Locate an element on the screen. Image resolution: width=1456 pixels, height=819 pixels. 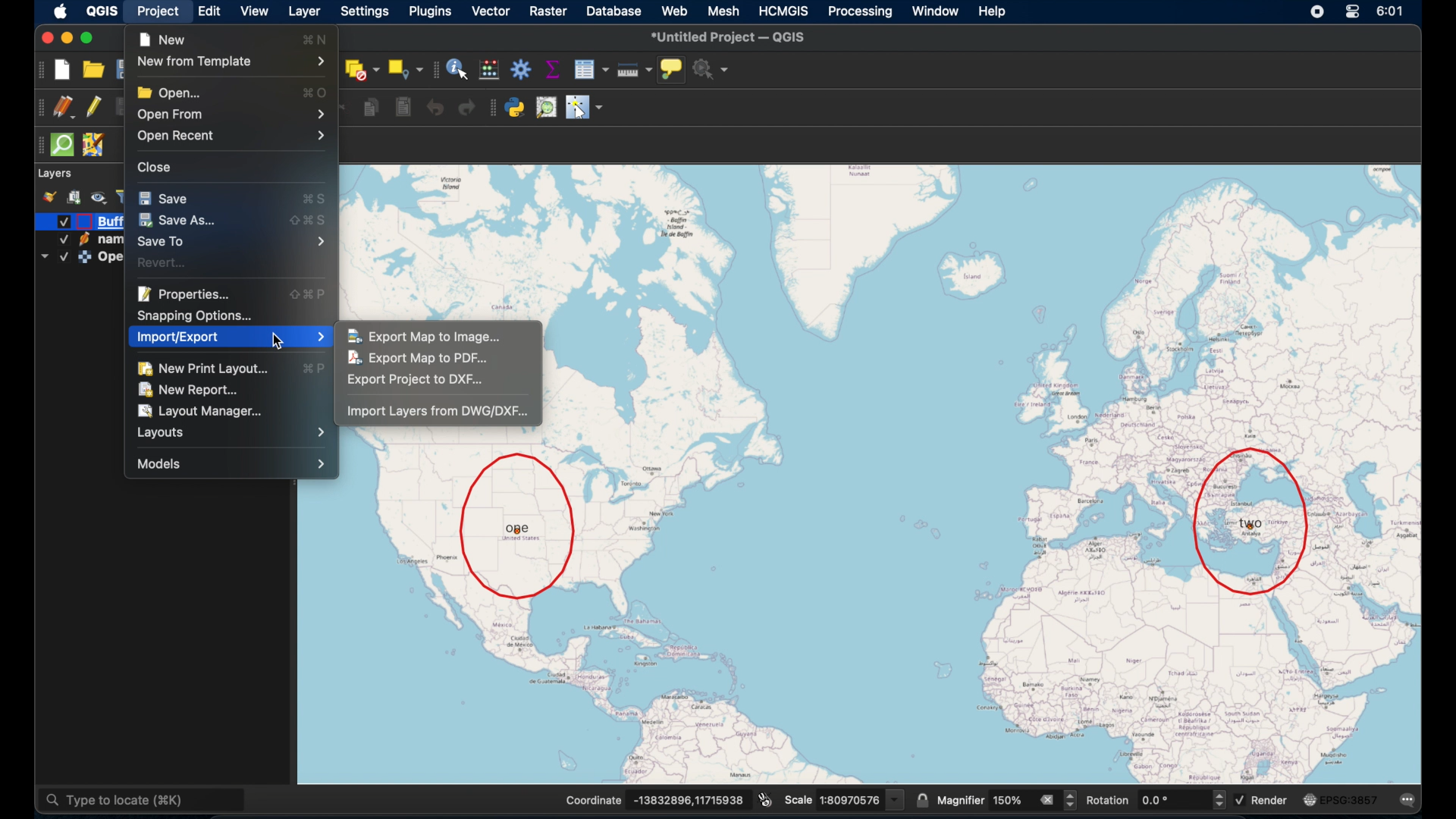
models  is located at coordinates (231, 464).